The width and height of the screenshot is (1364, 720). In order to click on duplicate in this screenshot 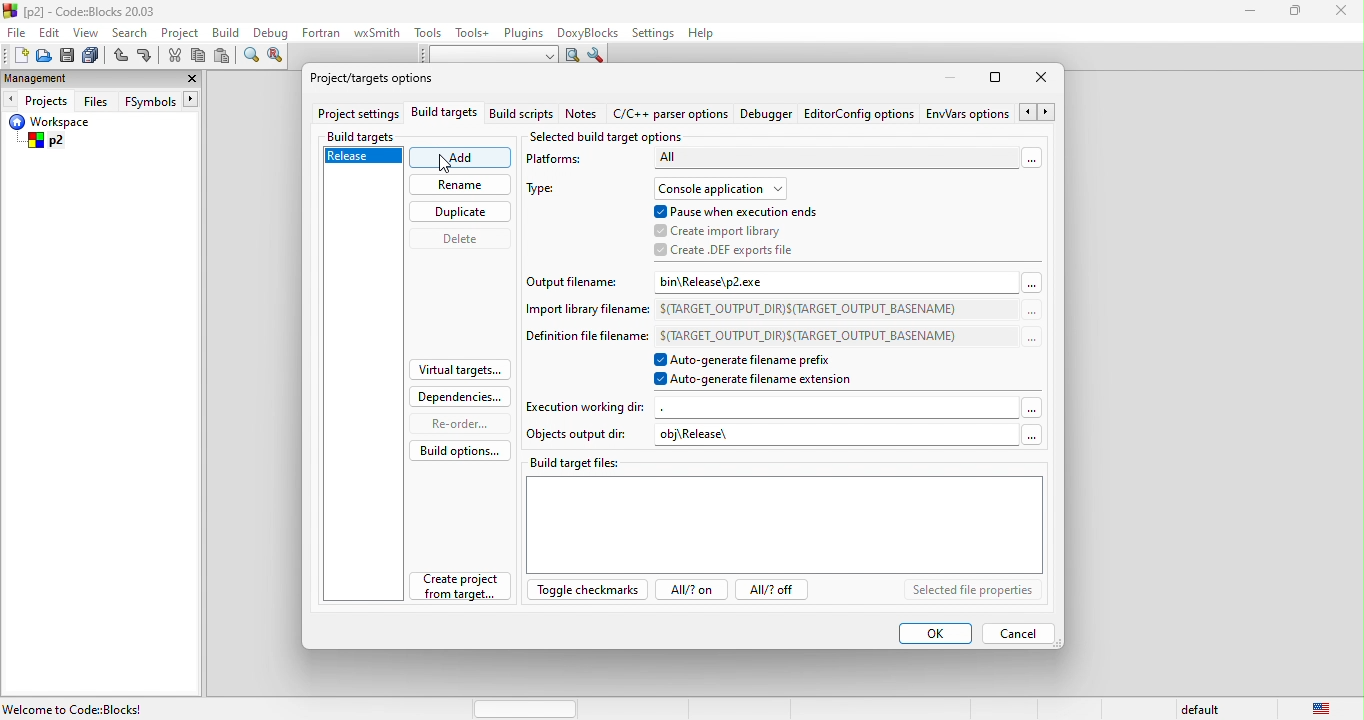, I will do `click(463, 214)`.